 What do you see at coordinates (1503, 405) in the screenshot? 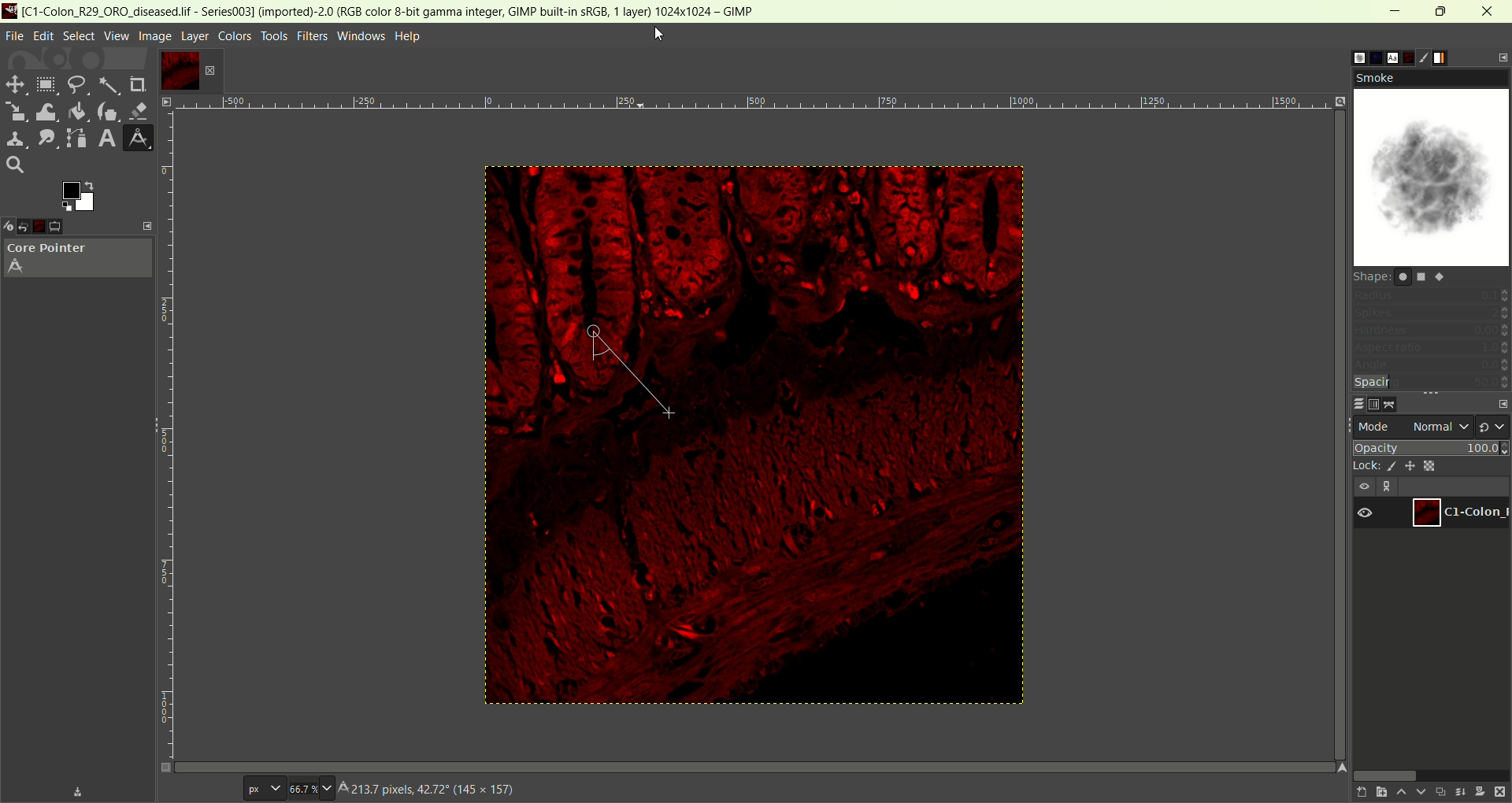
I see `configure this tab` at bounding box center [1503, 405].